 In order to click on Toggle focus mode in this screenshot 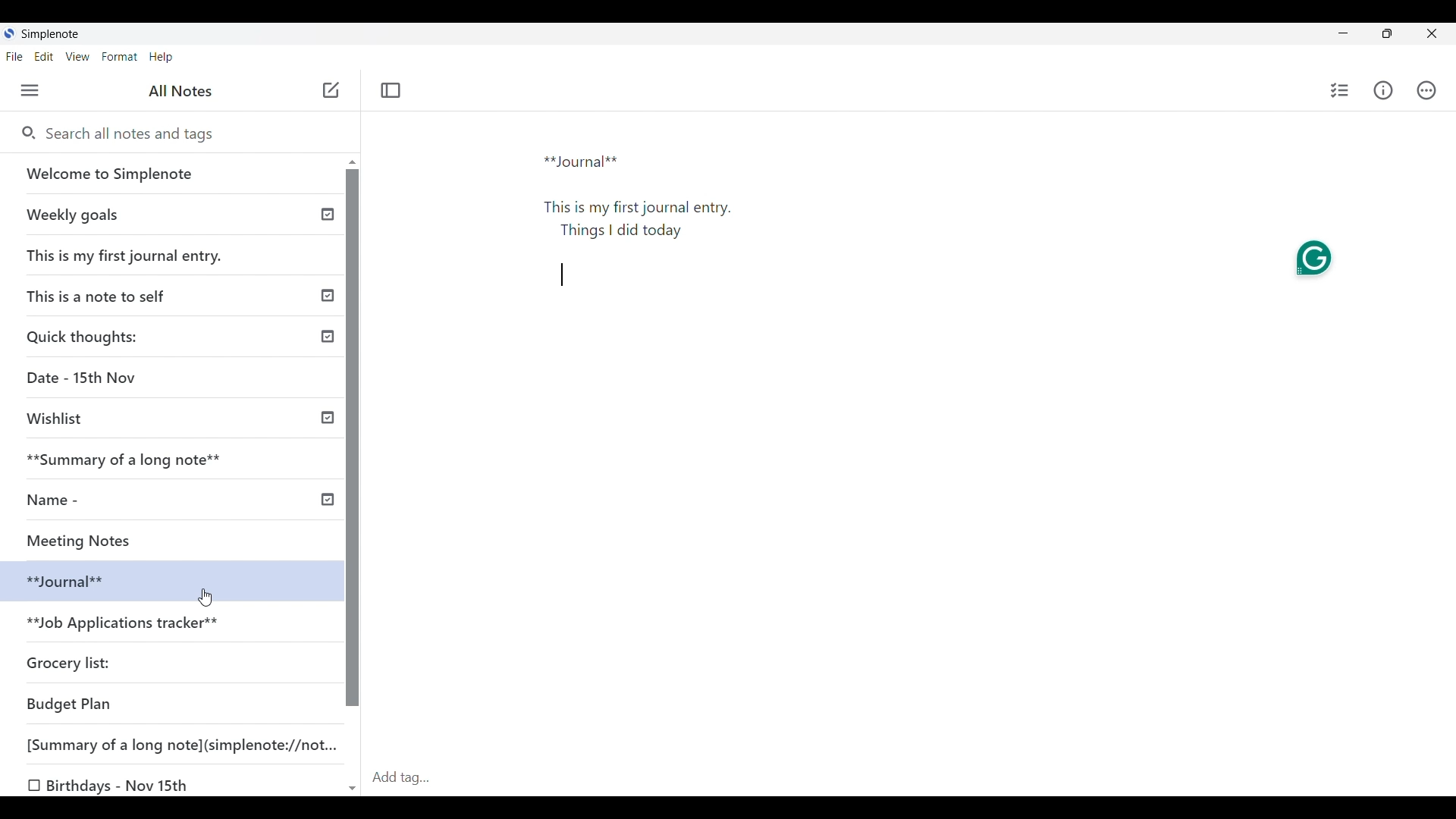, I will do `click(391, 90)`.